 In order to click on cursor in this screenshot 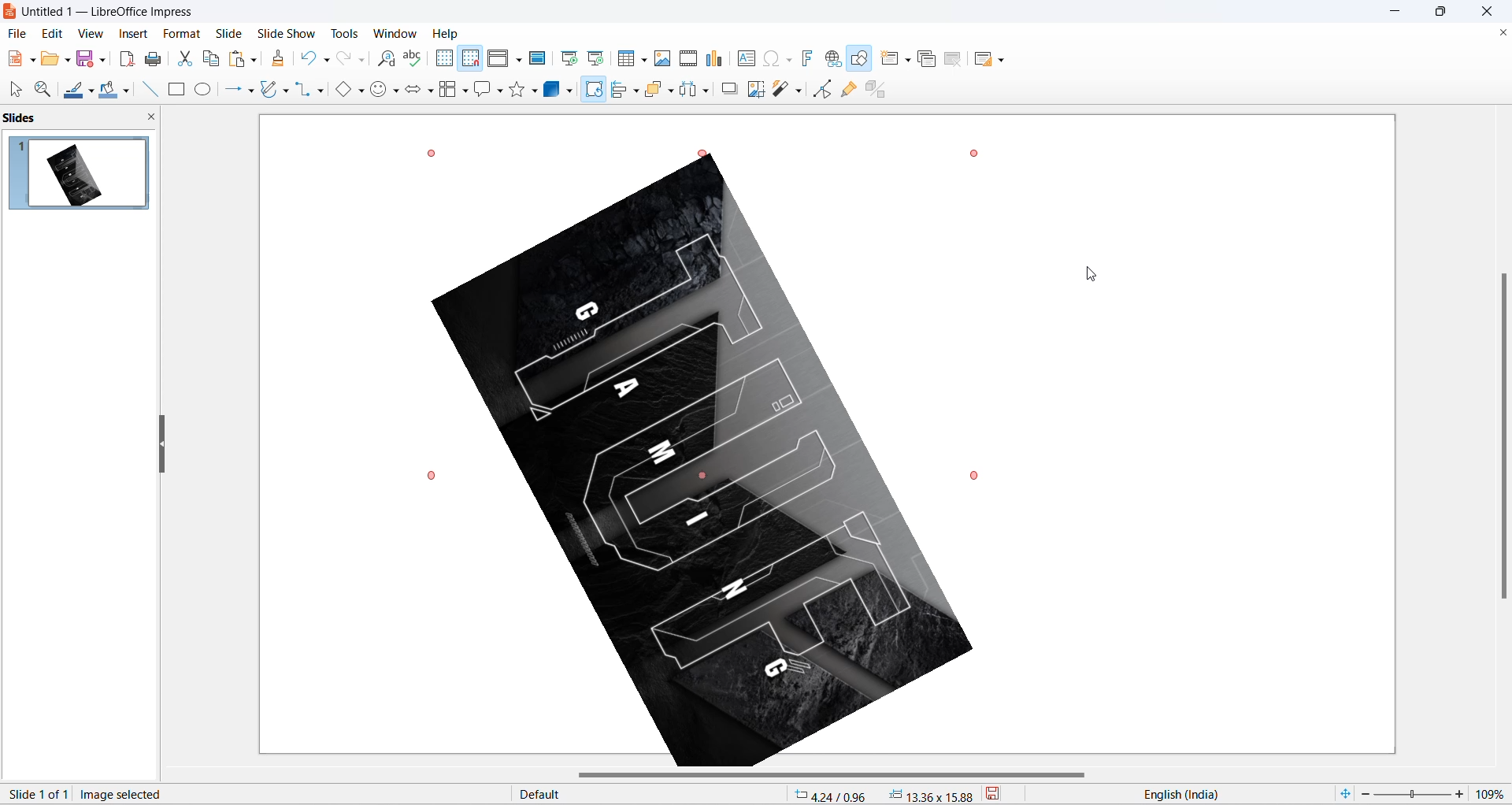, I will do `click(594, 84)`.